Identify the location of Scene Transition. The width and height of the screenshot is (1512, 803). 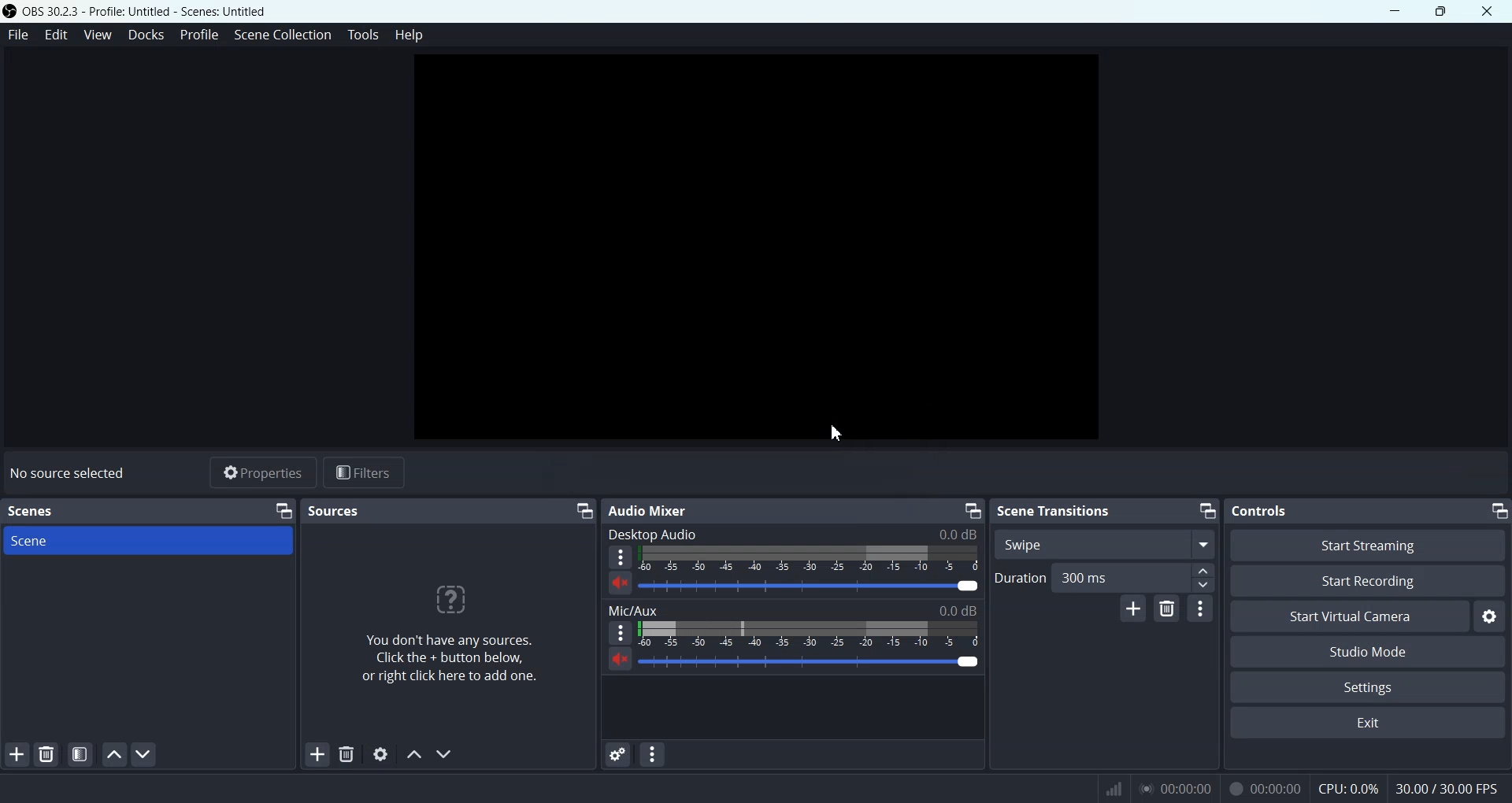
(1054, 510).